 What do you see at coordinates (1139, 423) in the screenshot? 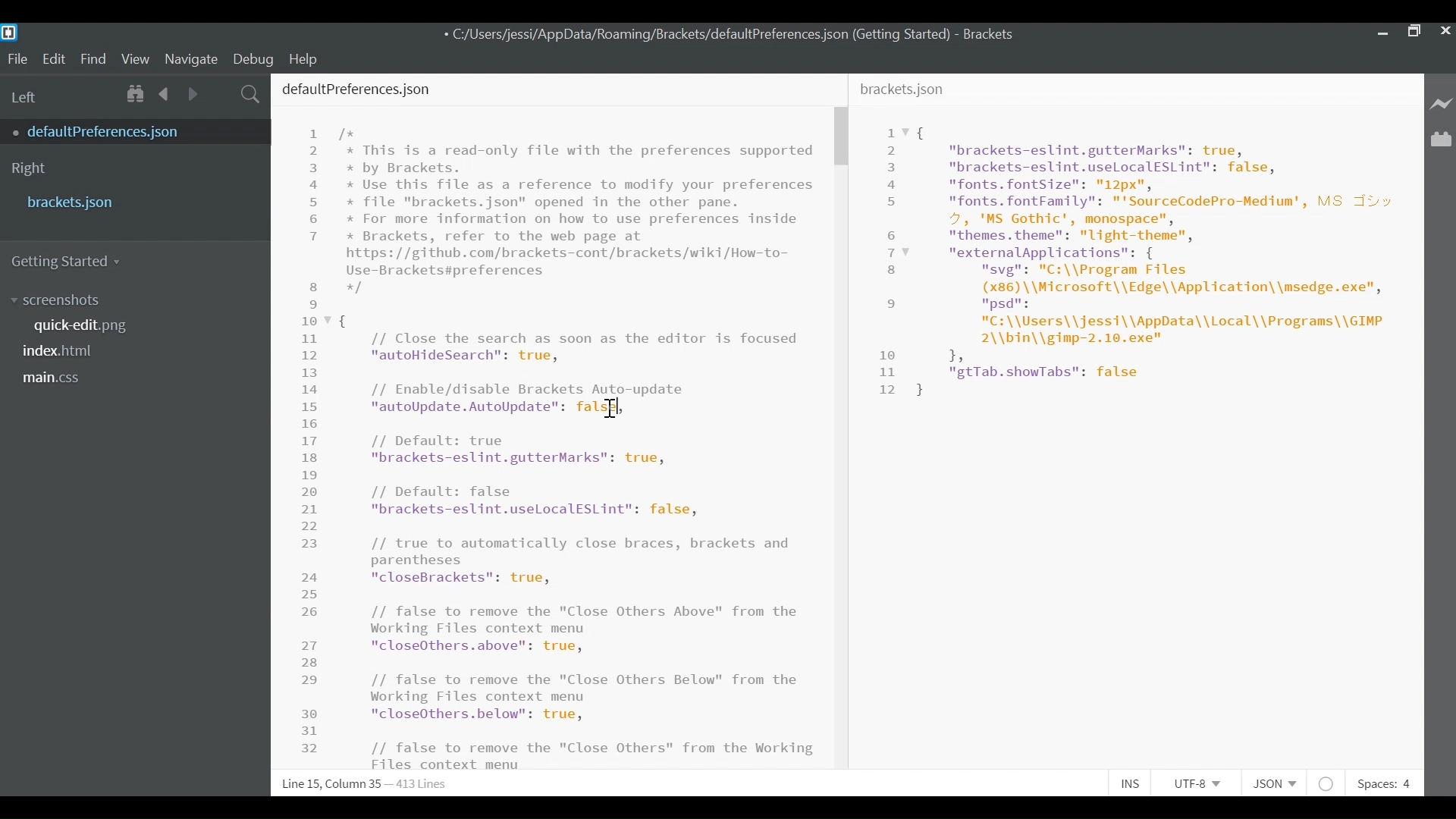
I see `bracket.json File Editor` at bounding box center [1139, 423].